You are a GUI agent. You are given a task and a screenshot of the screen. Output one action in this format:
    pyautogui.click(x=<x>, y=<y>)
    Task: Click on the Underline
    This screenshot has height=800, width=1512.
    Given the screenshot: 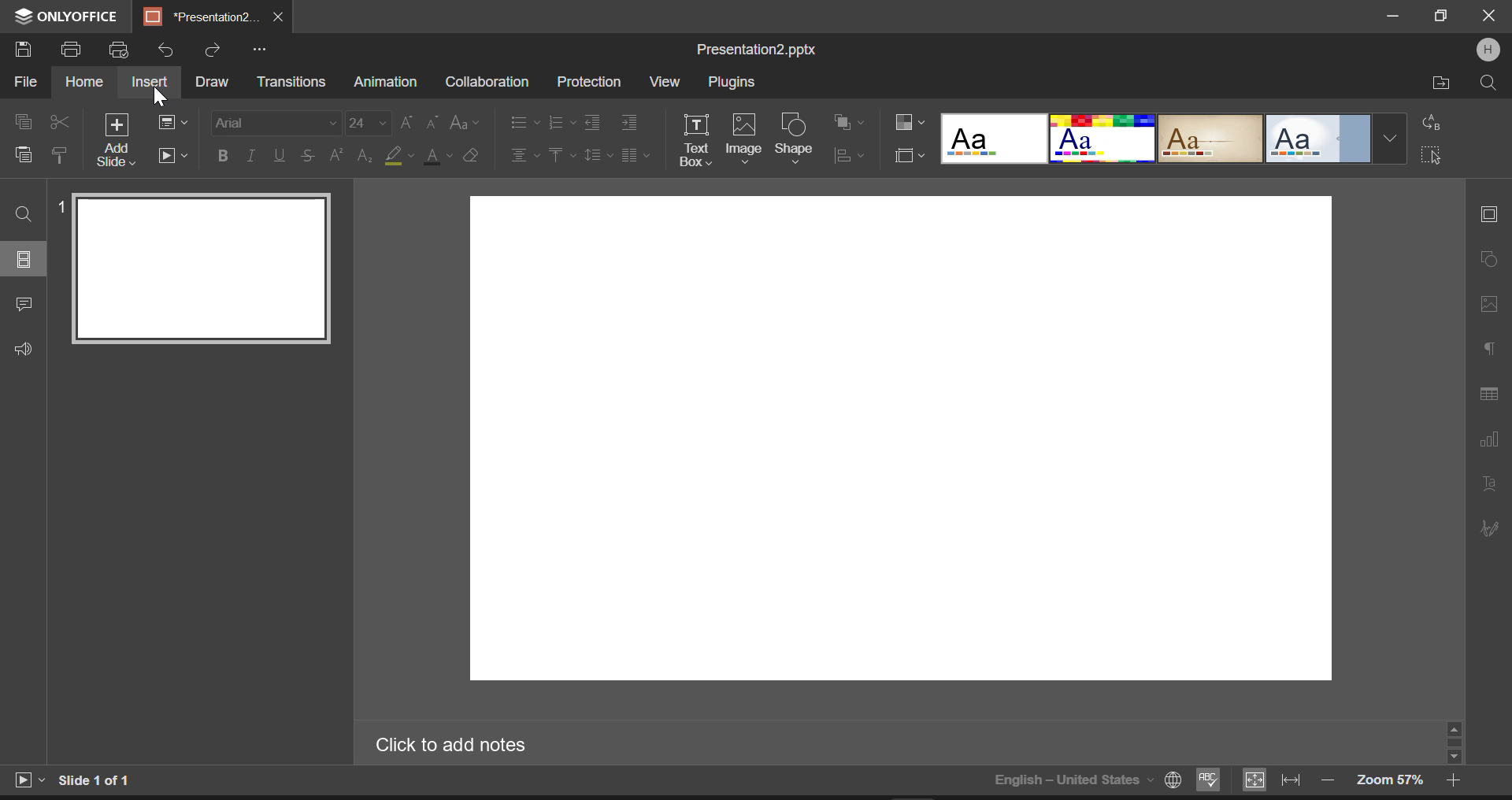 What is the action you would take?
    pyautogui.click(x=280, y=154)
    